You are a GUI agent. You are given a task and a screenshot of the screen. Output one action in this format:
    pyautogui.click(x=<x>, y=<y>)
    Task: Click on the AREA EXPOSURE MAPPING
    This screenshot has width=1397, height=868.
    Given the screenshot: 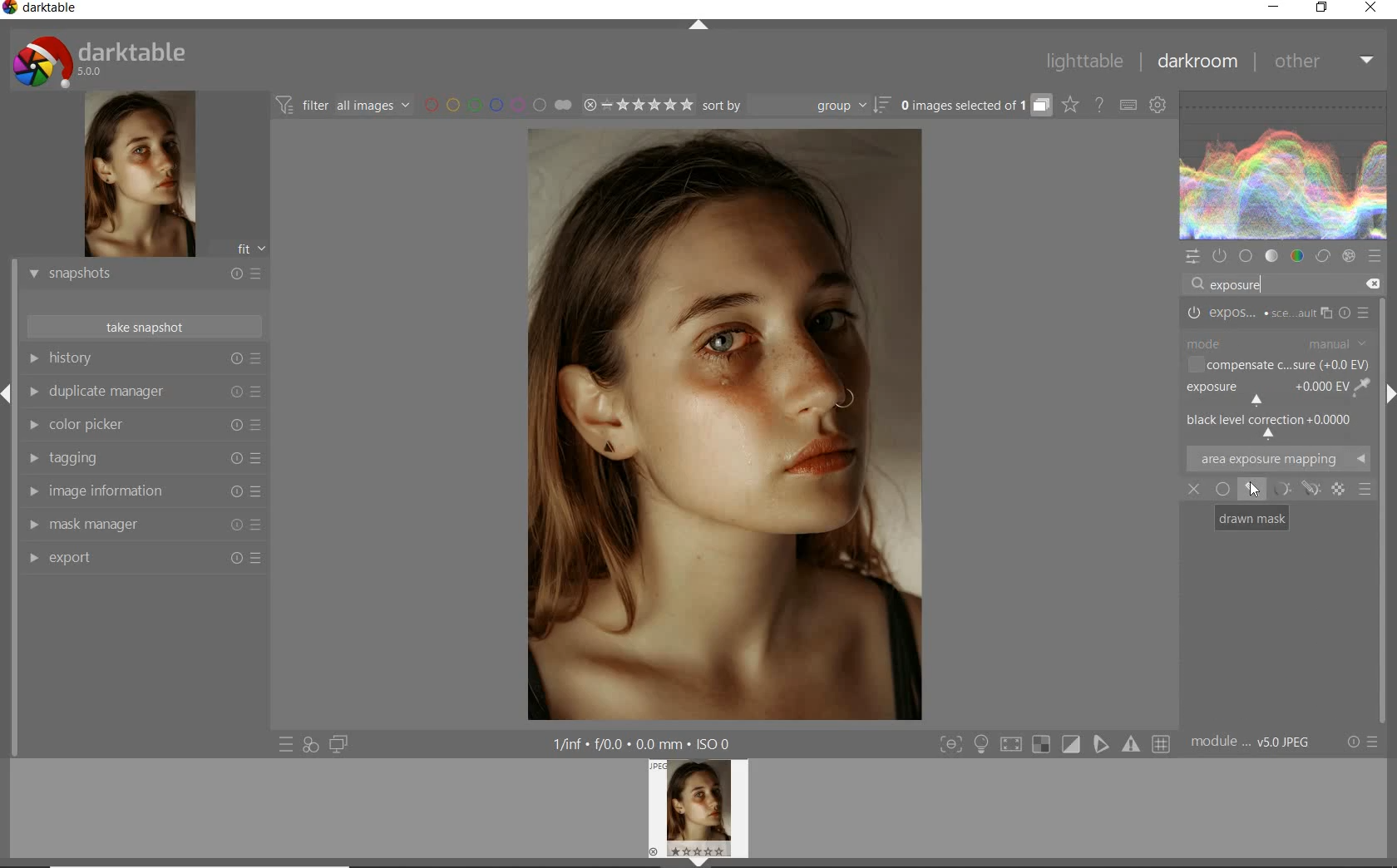 What is the action you would take?
    pyautogui.click(x=1276, y=460)
    